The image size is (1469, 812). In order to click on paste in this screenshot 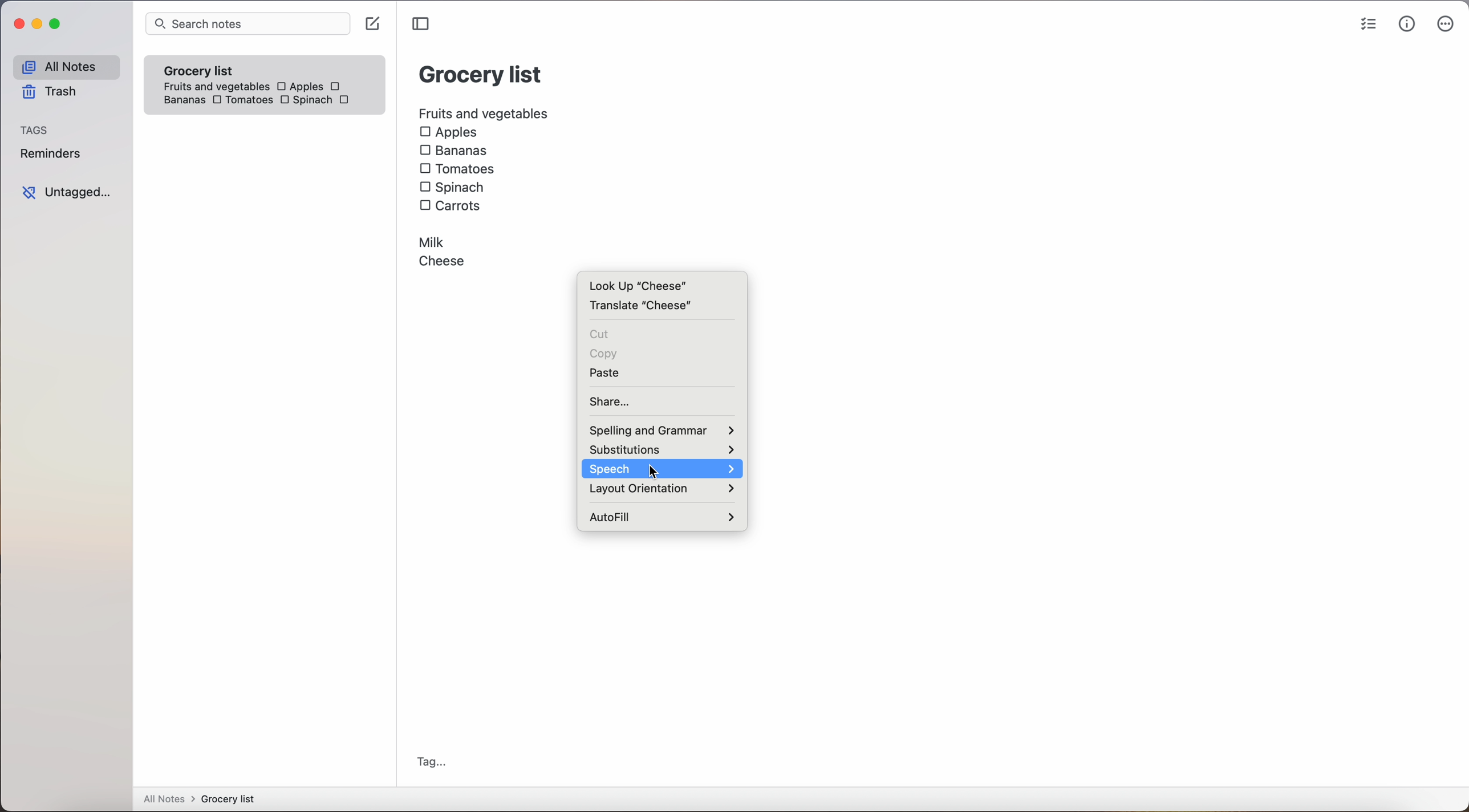, I will do `click(611, 373)`.